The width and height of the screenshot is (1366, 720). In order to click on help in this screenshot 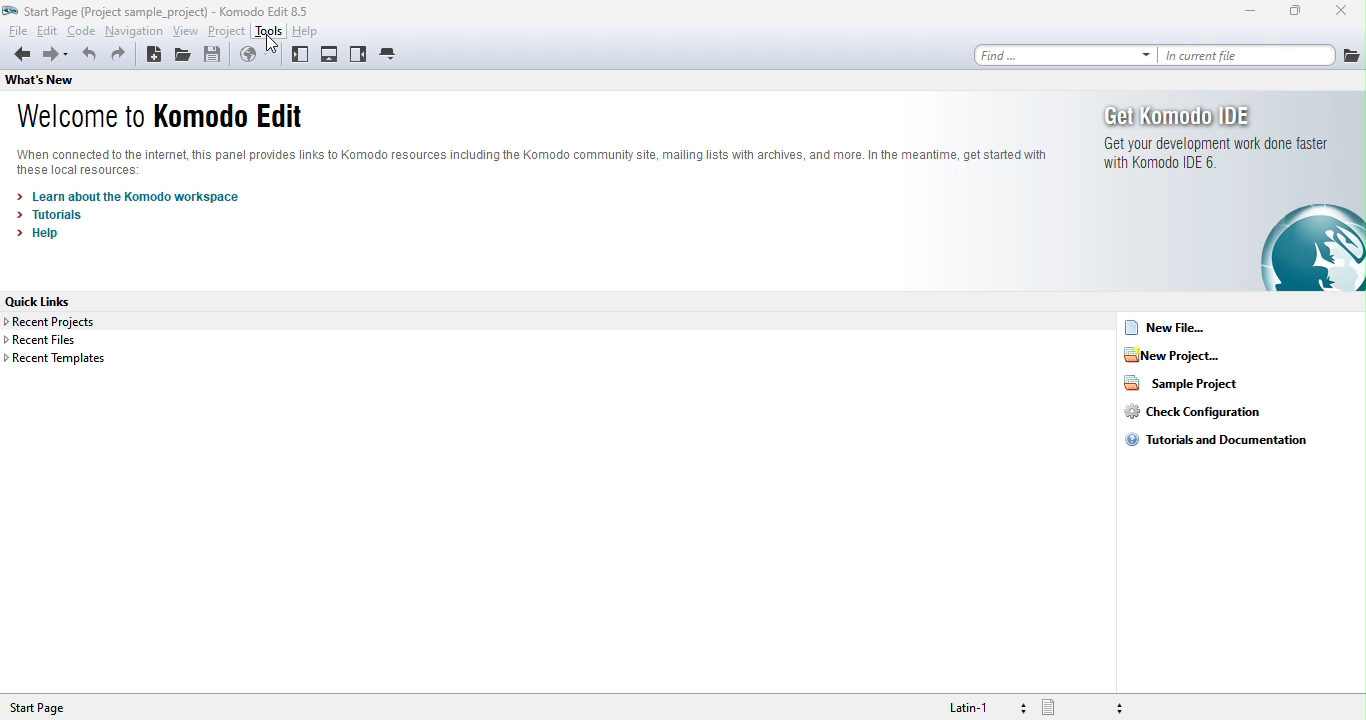, I will do `click(46, 239)`.